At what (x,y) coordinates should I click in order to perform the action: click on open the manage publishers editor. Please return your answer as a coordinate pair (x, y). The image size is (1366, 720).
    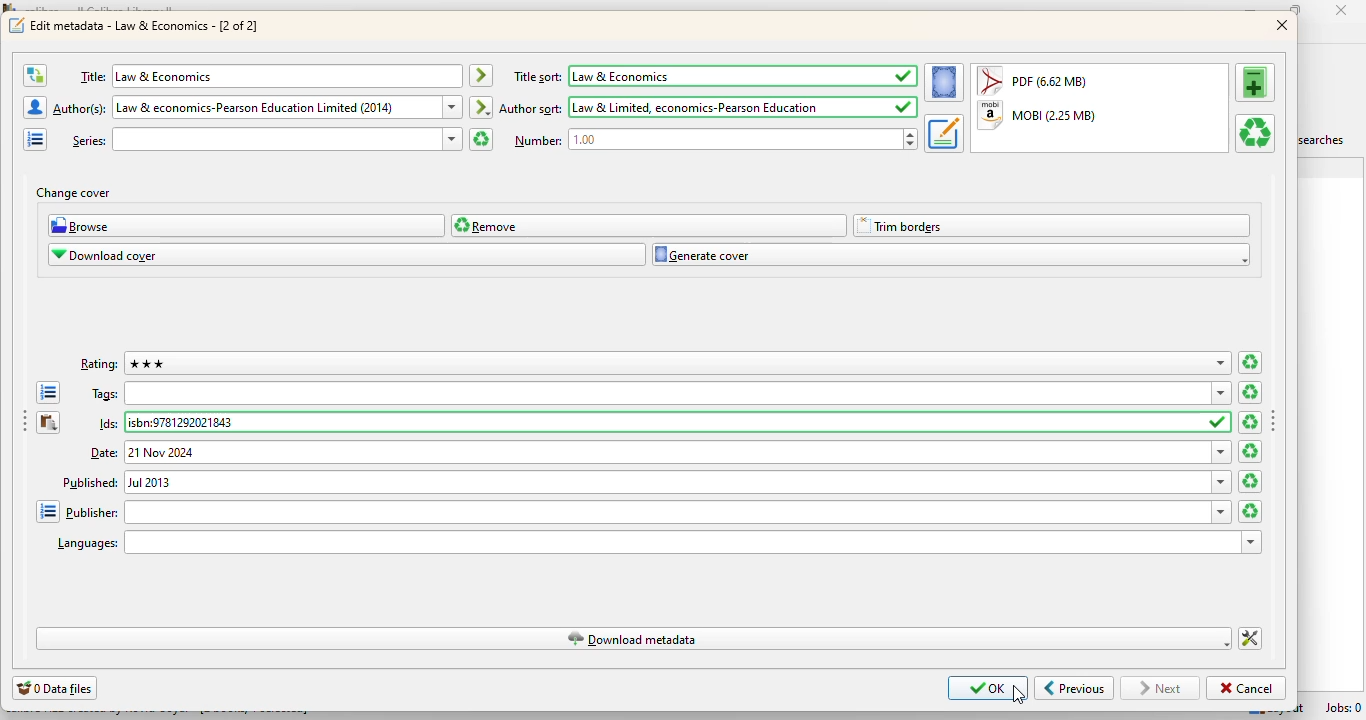
    Looking at the image, I should click on (46, 511).